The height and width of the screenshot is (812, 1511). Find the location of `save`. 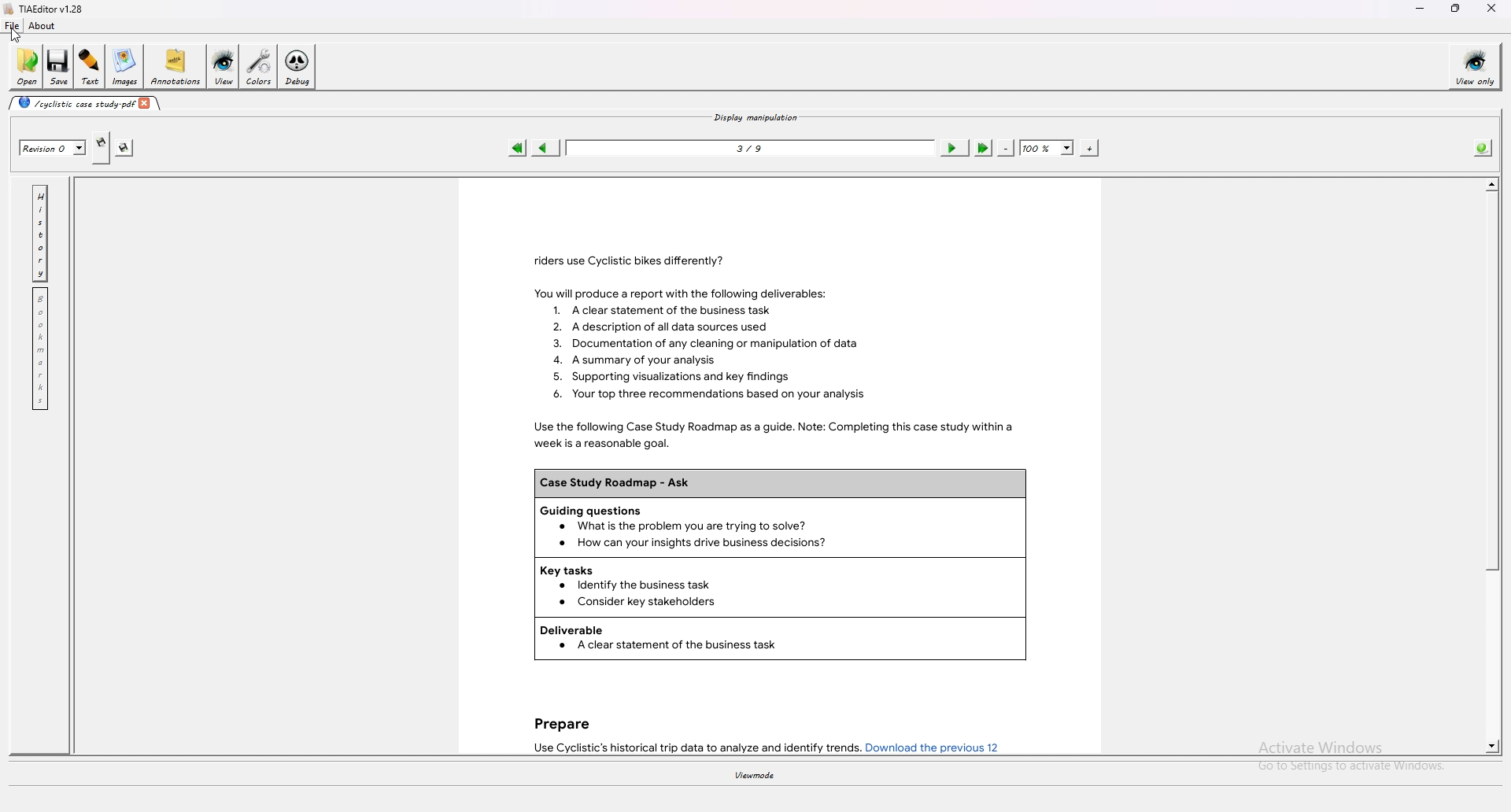

save is located at coordinates (60, 65).